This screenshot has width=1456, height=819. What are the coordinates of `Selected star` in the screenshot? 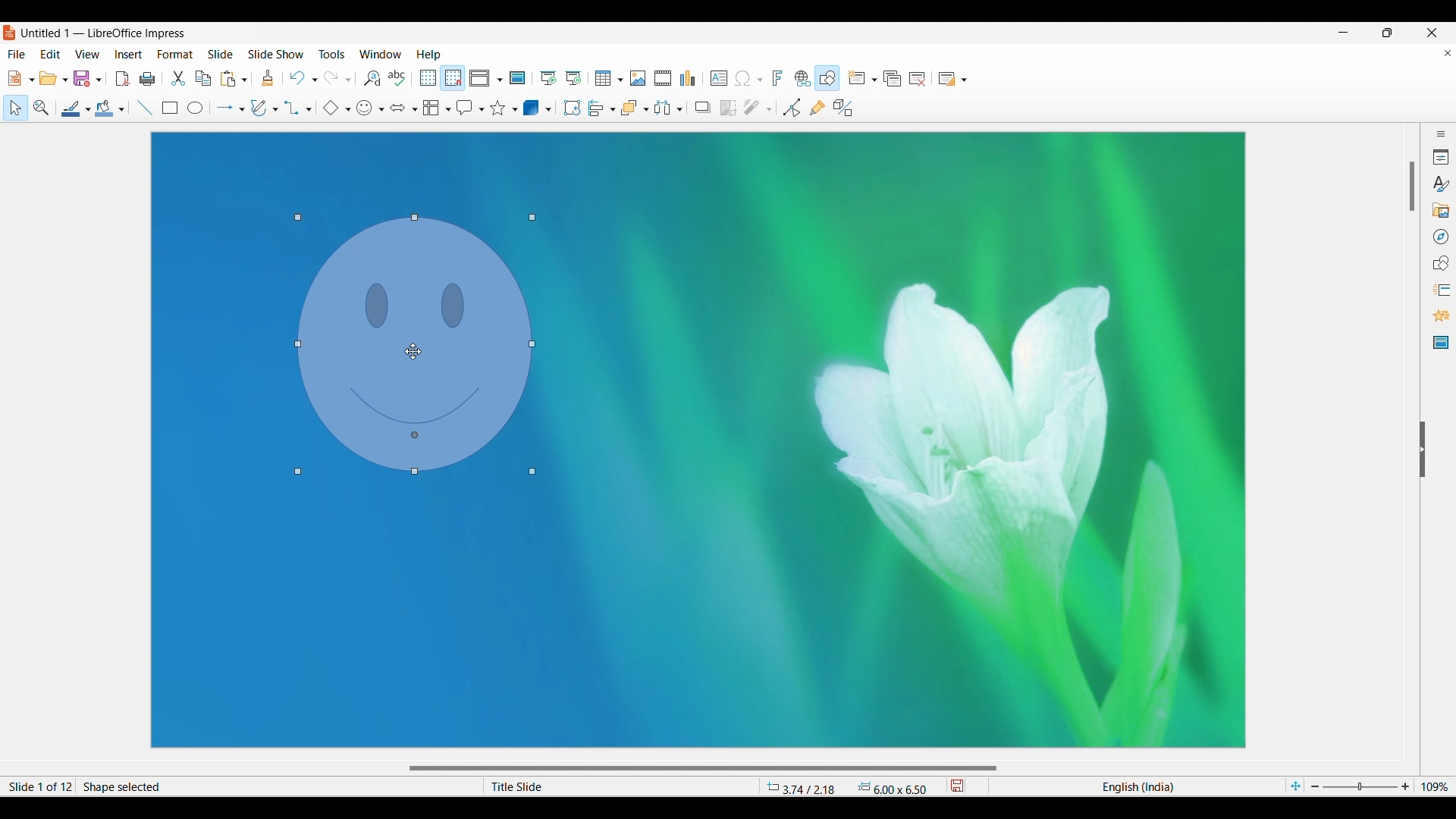 It's located at (498, 108).